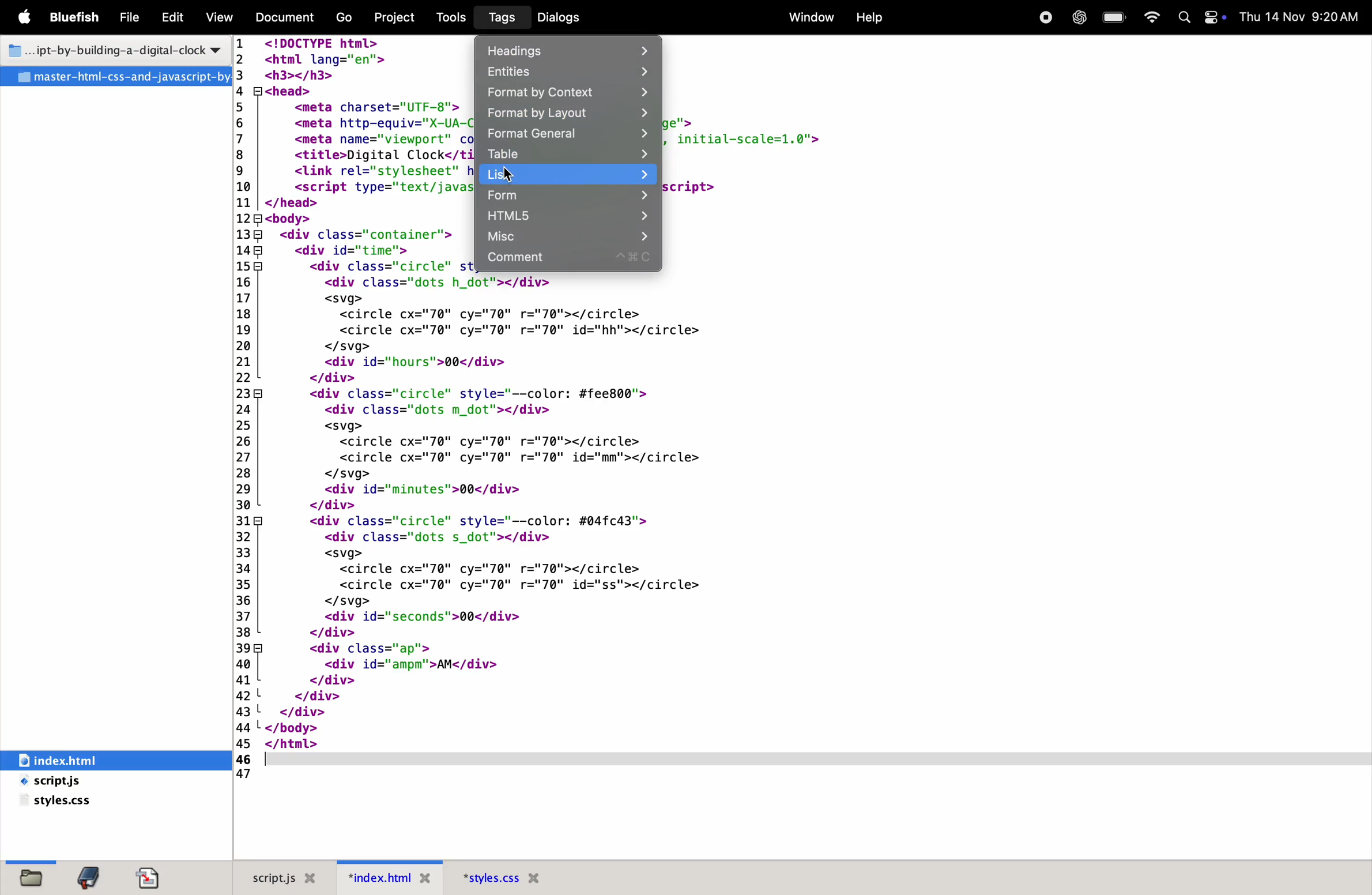  What do you see at coordinates (114, 48) in the screenshot?
I see `title` at bounding box center [114, 48].